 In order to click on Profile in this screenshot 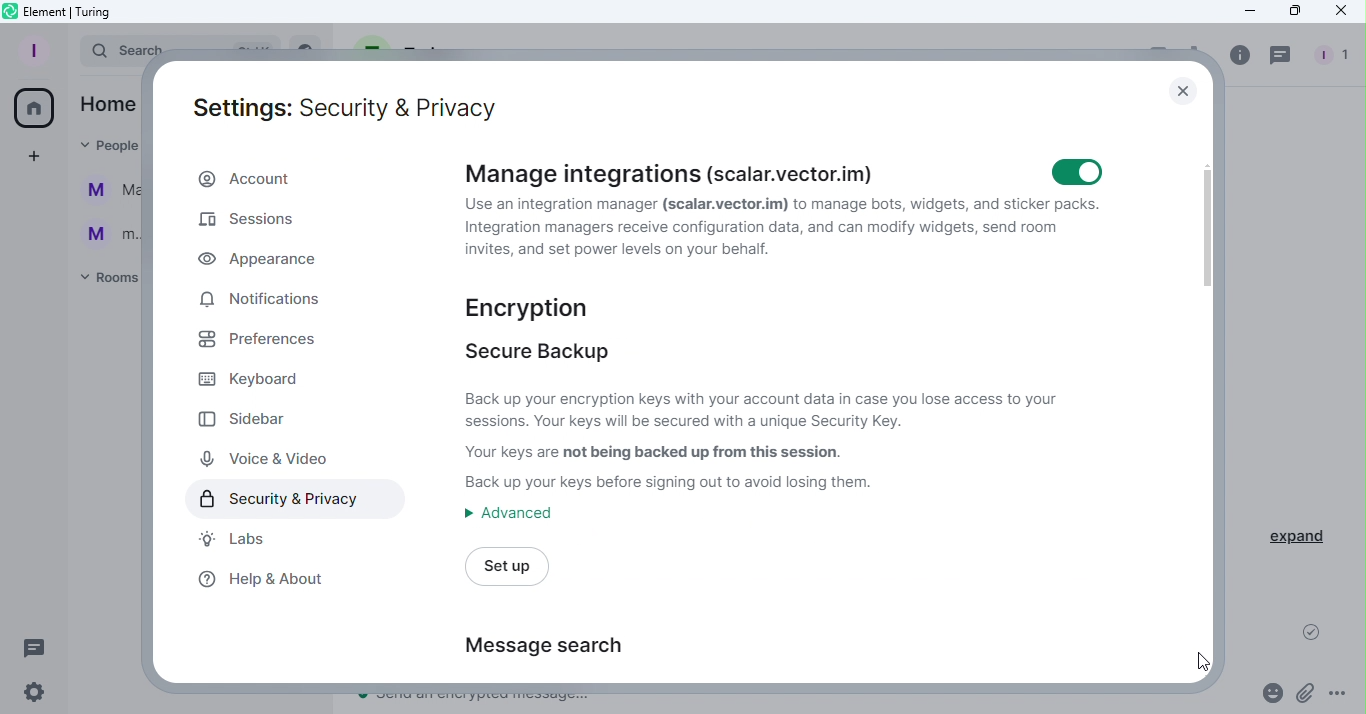, I will do `click(35, 50)`.